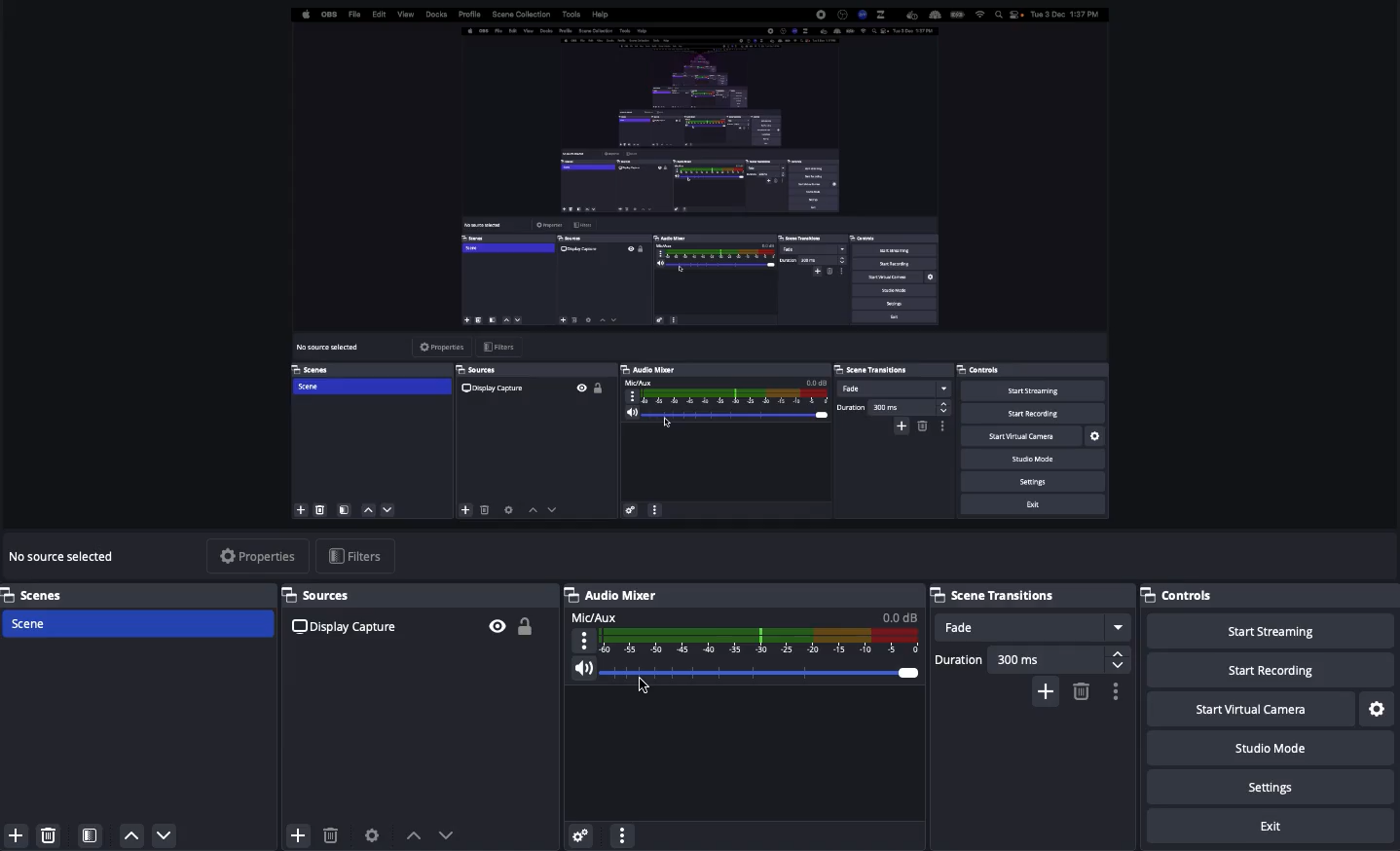  I want to click on Delete, so click(49, 832).